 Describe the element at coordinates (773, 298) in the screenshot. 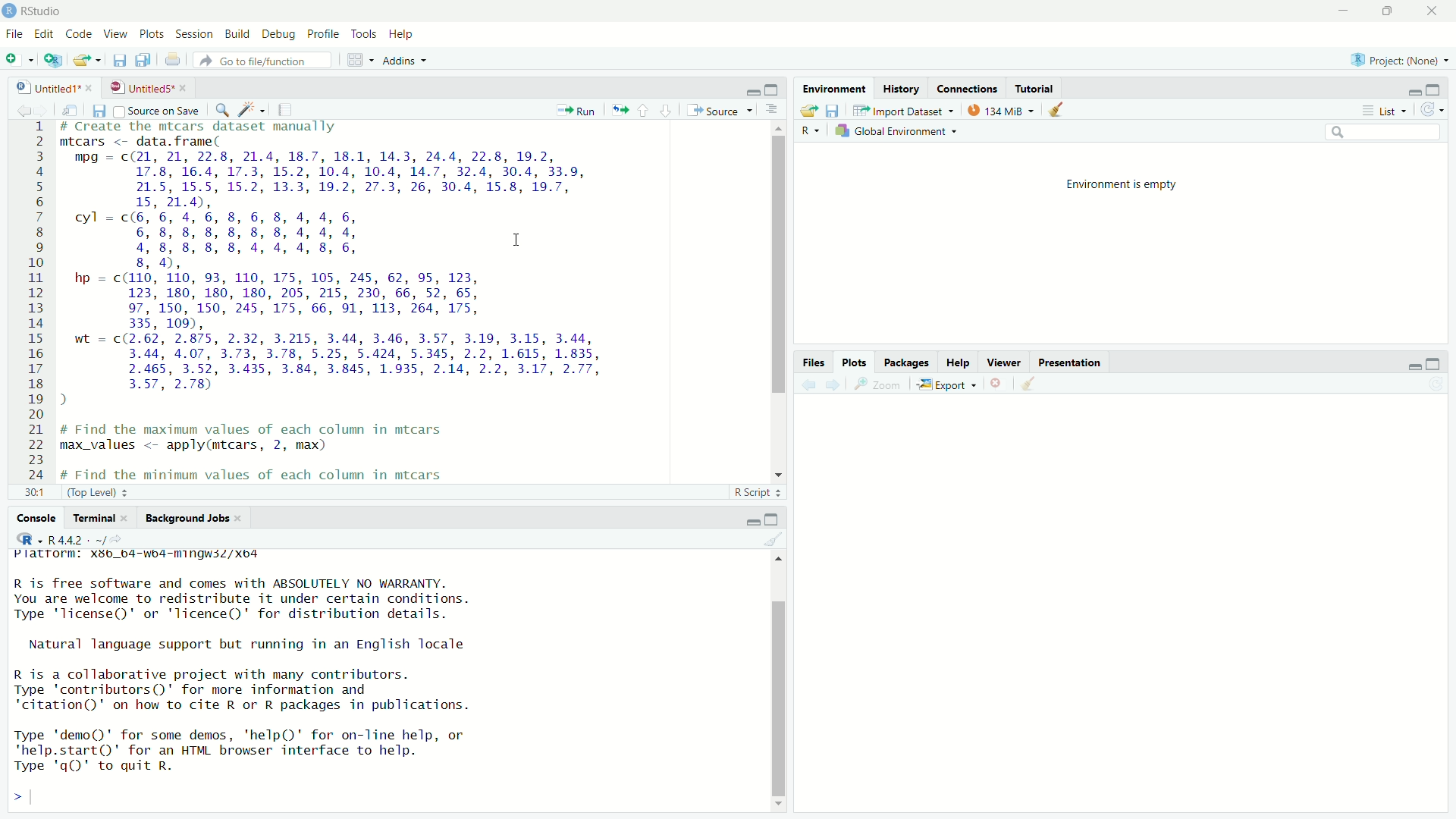

I see `scroll bar` at that location.